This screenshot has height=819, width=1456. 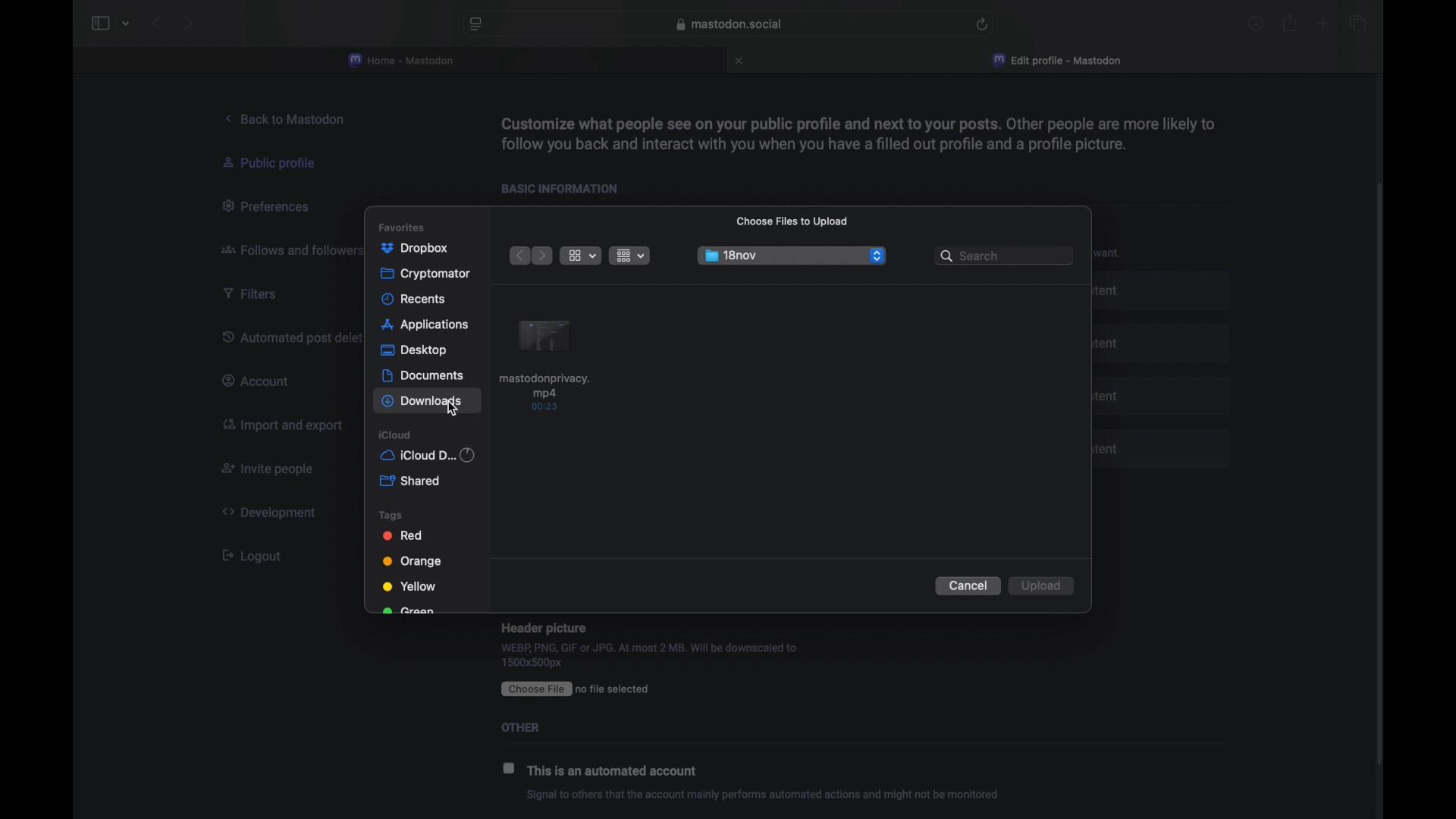 What do you see at coordinates (391, 514) in the screenshot?
I see `tags` at bounding box center [391, 514].